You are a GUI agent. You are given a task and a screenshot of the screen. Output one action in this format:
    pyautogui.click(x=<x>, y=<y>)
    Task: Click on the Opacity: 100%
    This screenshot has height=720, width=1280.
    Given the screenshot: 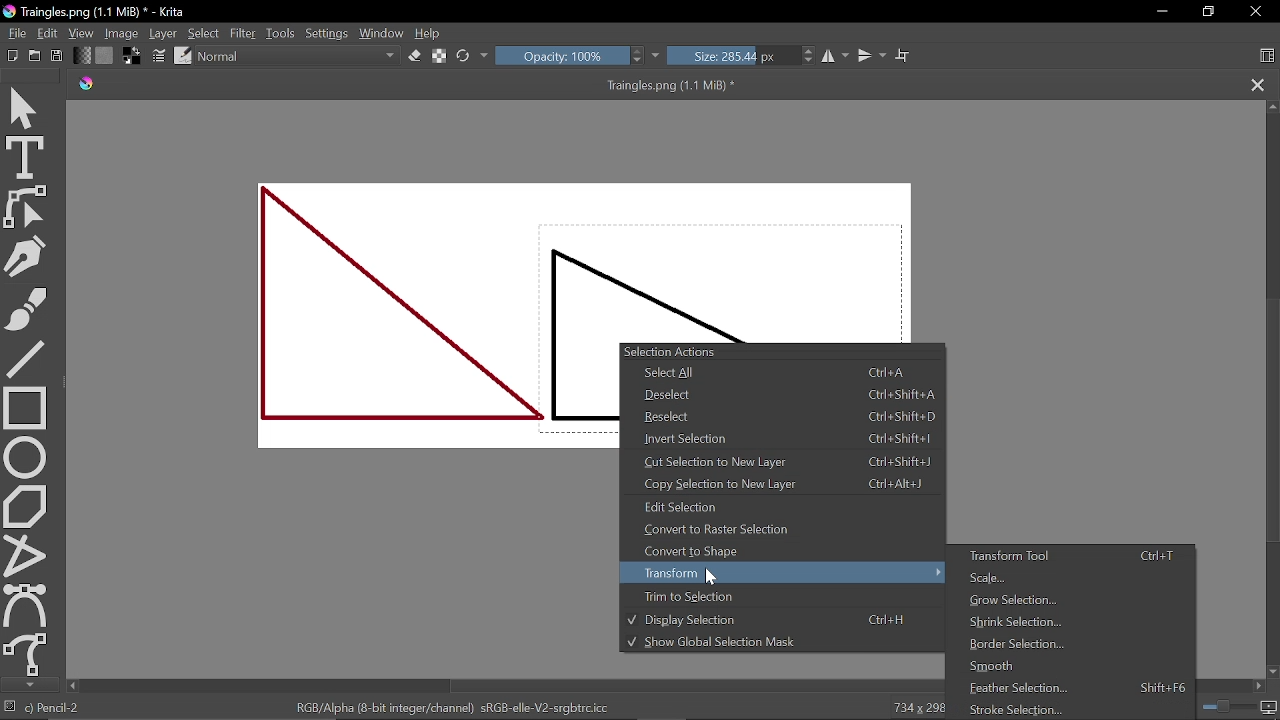 What is the action you would take?
    pyautogui.click(x=579, y=56)
    